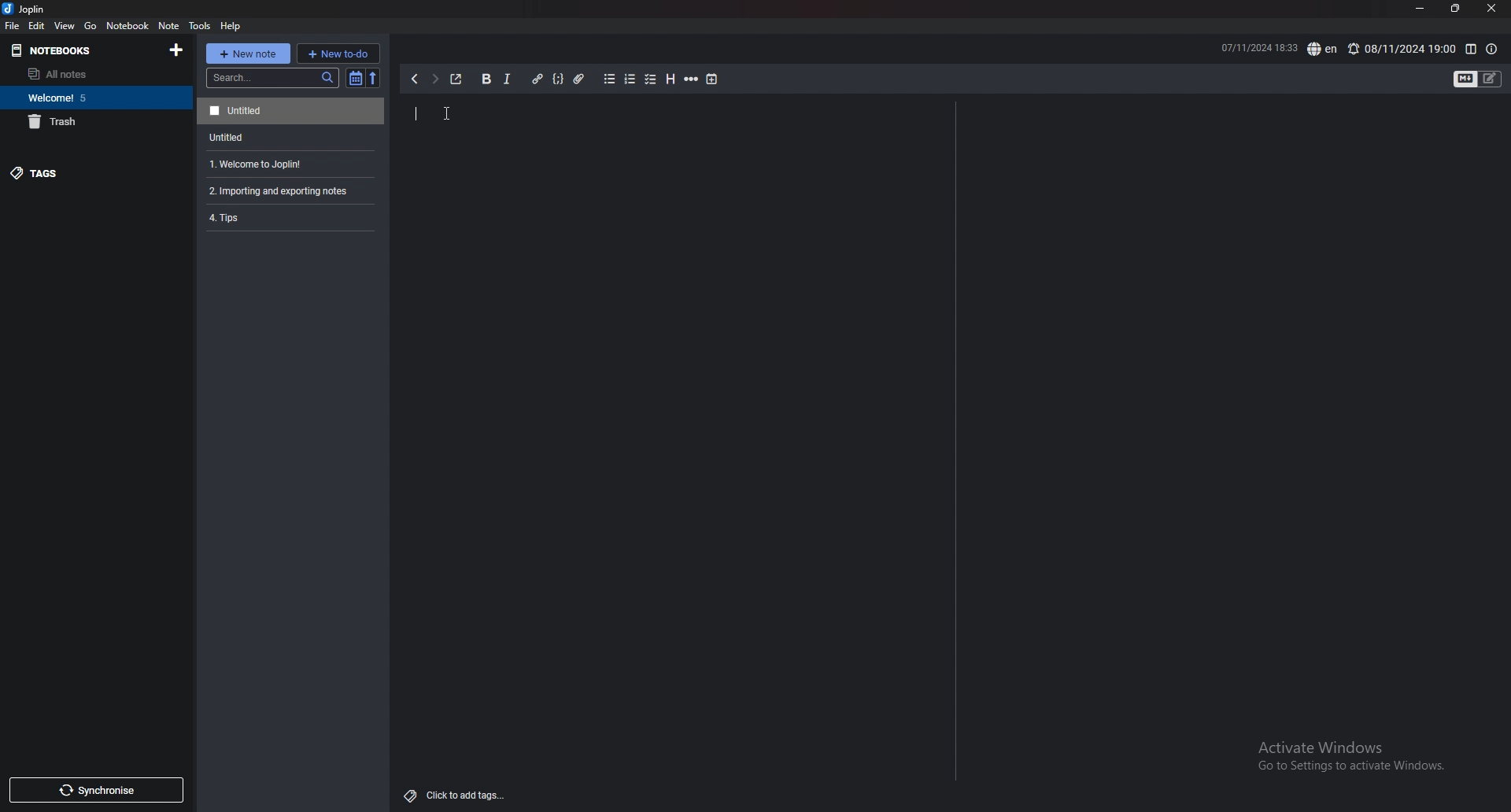 This screenshot has width=1511, height=812. Describe the element at coordinates (84, 172) in the screenshot. I see `tags` at that location.